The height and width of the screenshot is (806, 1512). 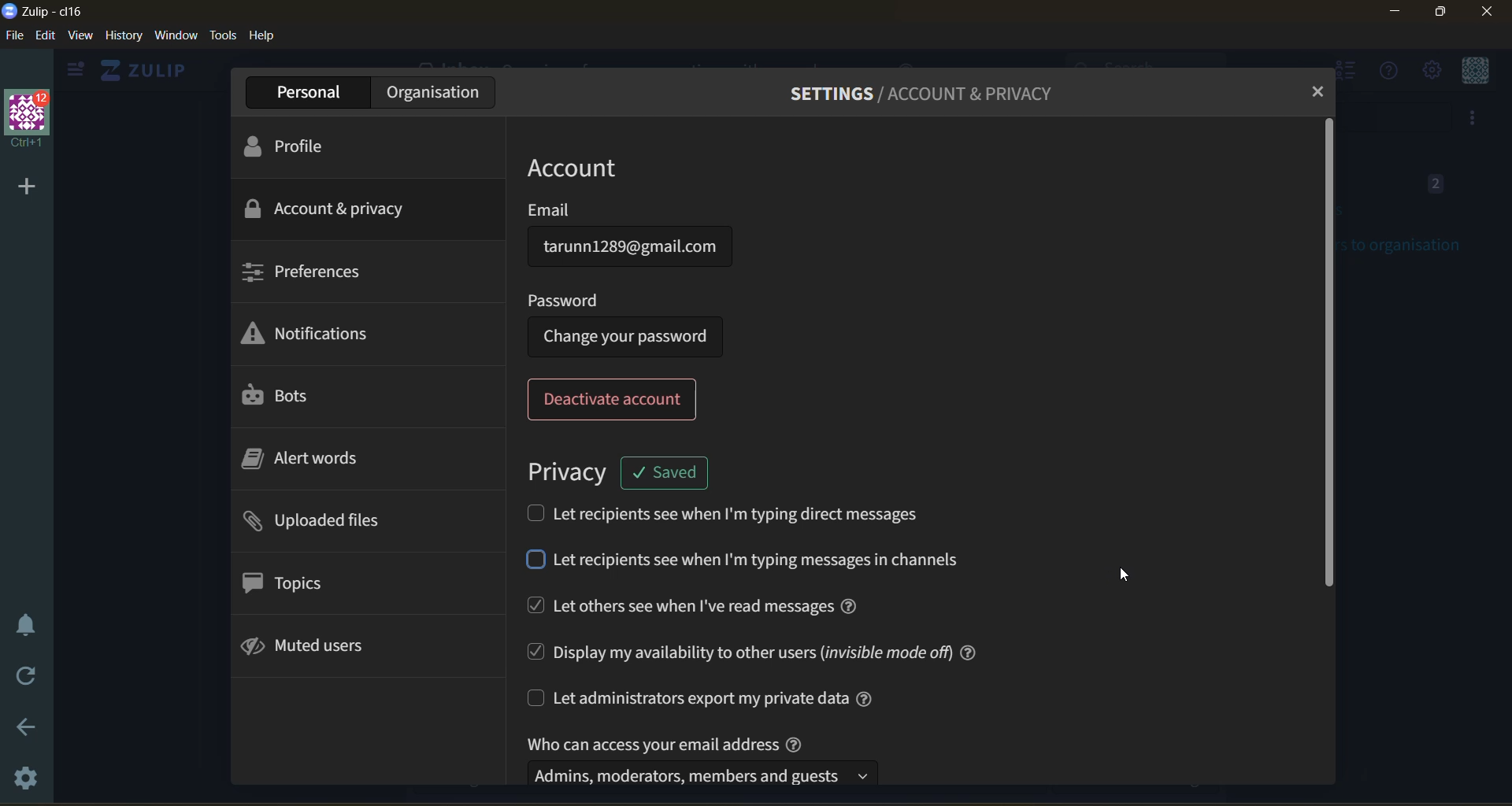 What do you see at coordinates (13, 38) in the screenshot?
I see `file` at bounding box center [13, 38].